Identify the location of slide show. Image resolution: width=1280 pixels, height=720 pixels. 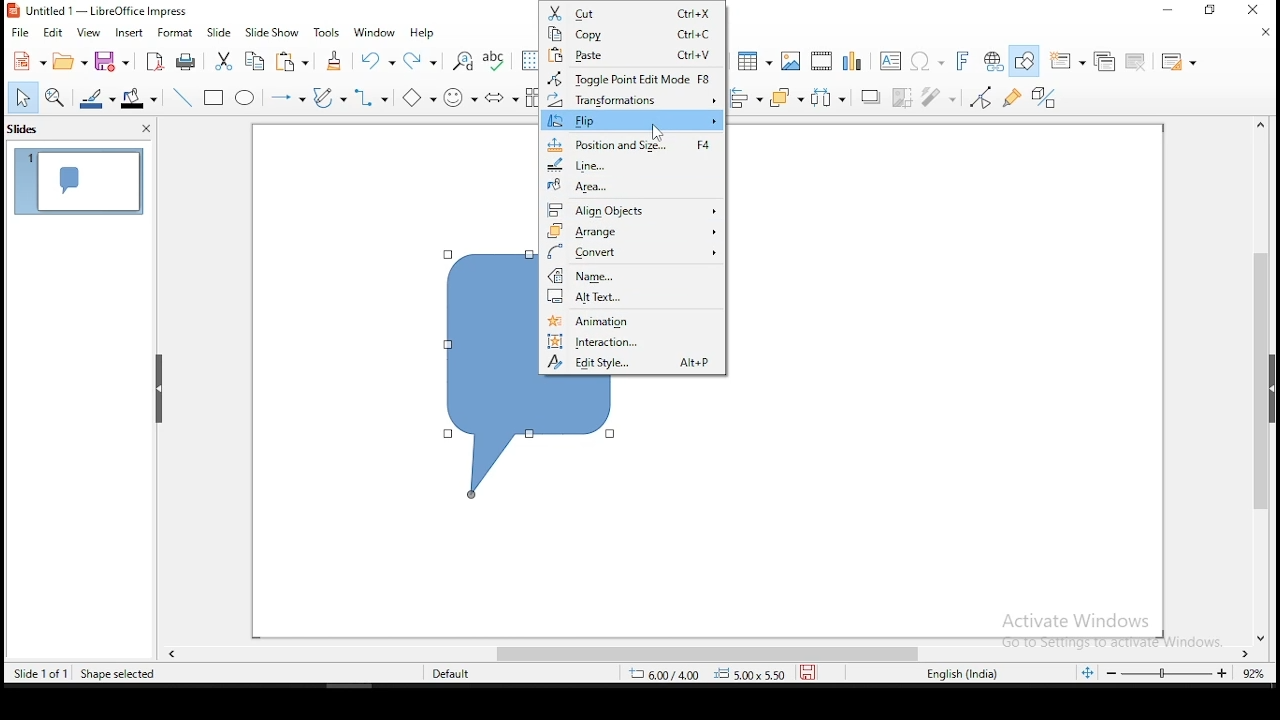
(273, 29).